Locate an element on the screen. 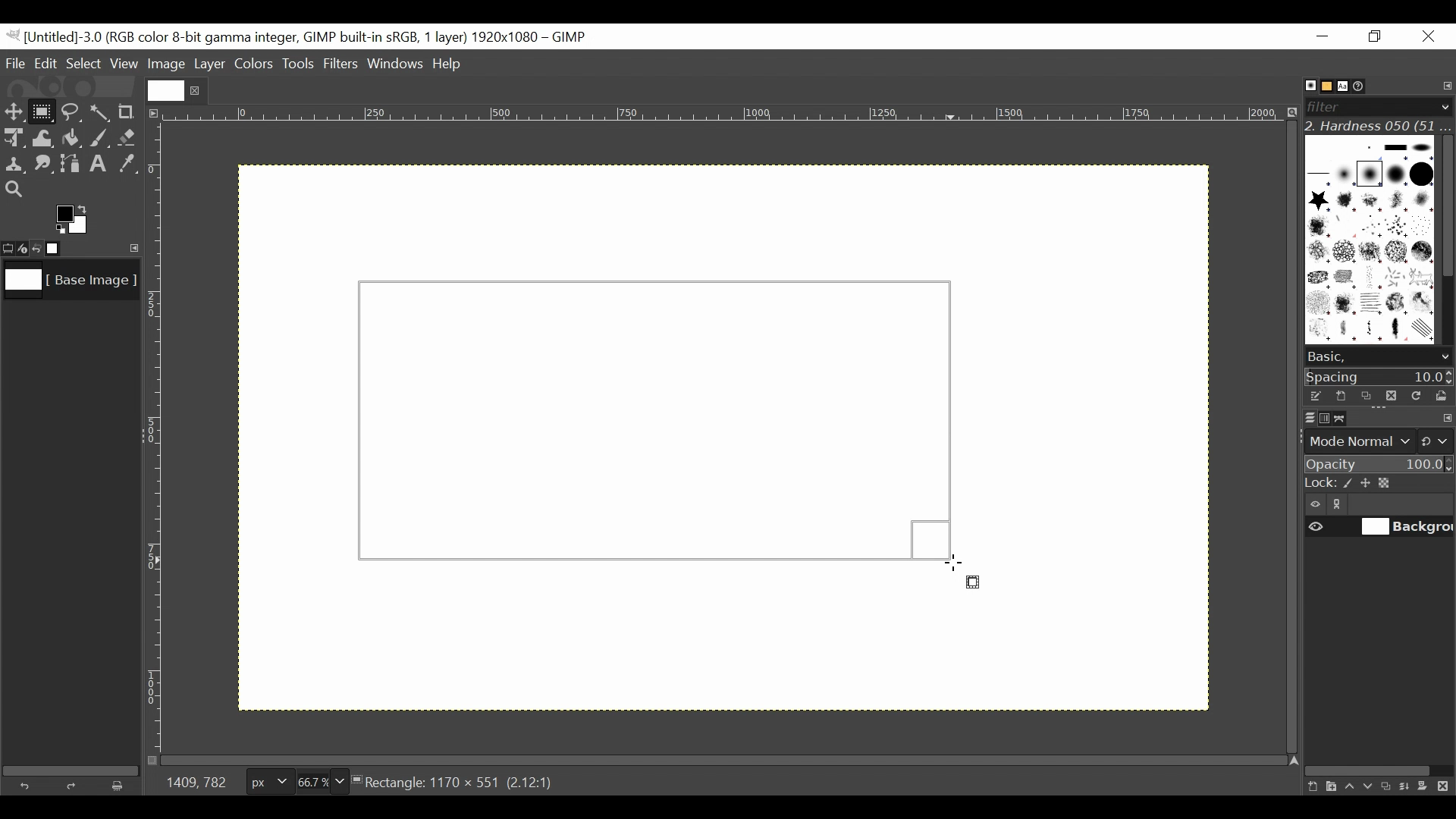 This screenshot has height=819, width=1456. Undo is located at coordinates (28, 784).